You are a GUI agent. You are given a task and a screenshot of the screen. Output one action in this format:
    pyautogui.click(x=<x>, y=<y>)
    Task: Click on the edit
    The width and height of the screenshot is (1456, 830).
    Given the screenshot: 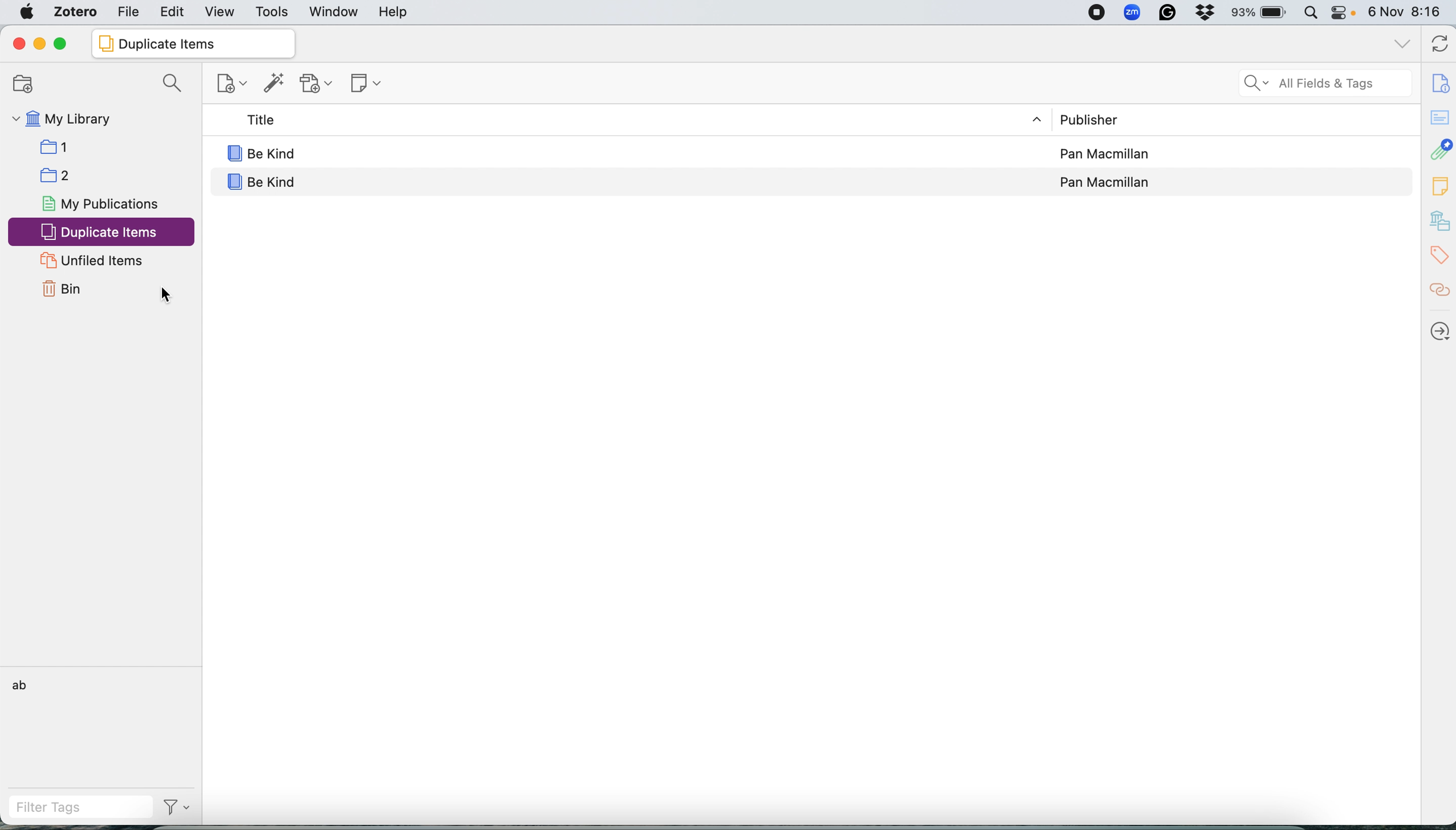 What is the action you would take?
    pyautogui.click(x=174, y=11)
    